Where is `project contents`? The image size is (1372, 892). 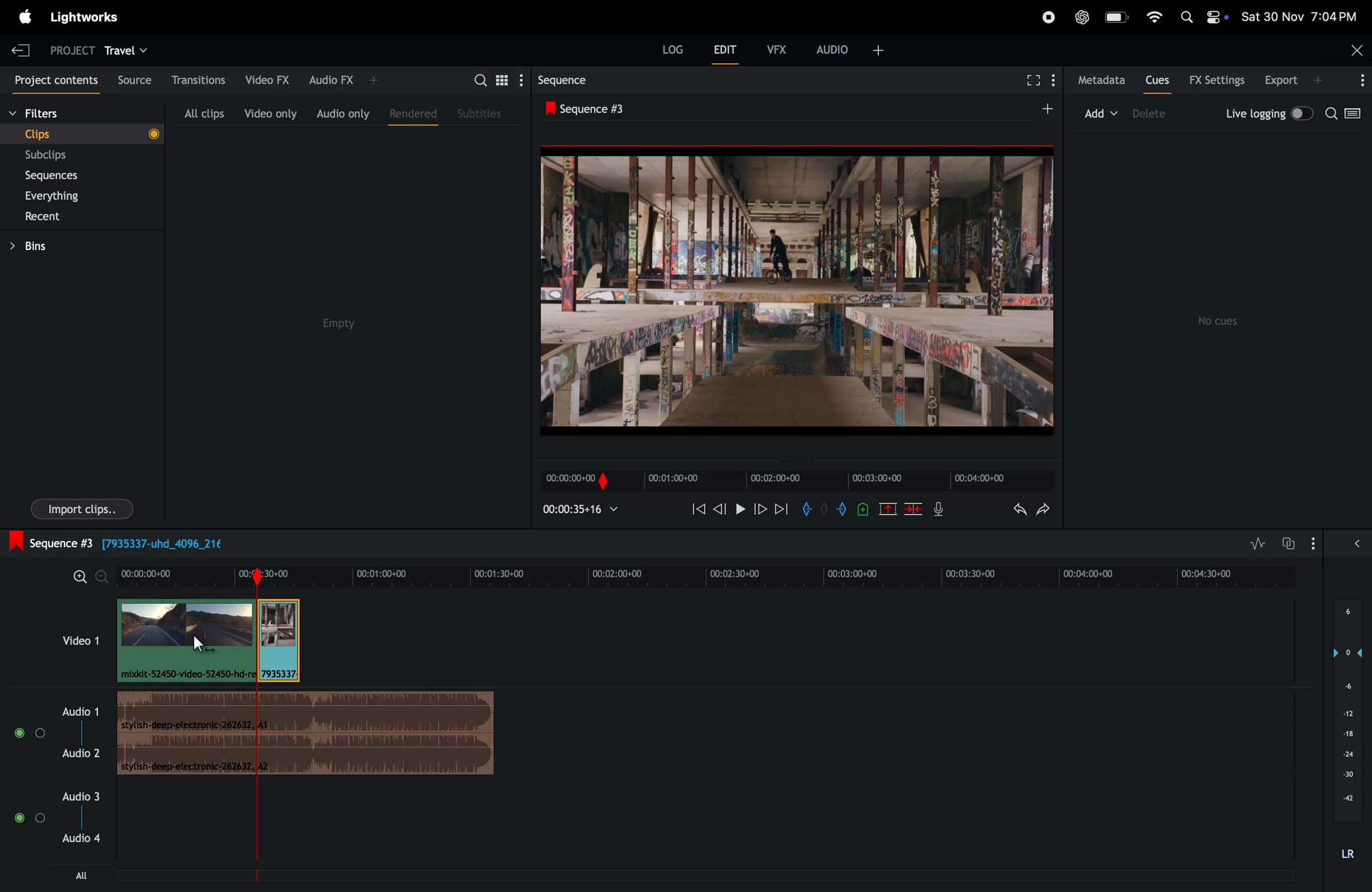
project contents is located at coordinates (51, 78).